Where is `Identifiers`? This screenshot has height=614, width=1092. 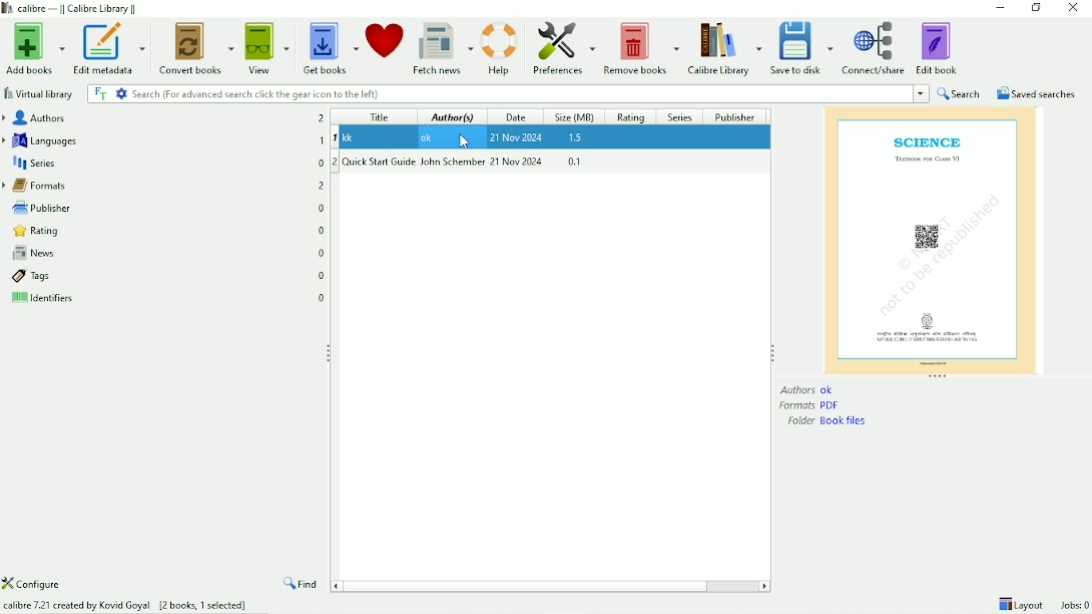 Identifiers is located at coordinates (169, 298).